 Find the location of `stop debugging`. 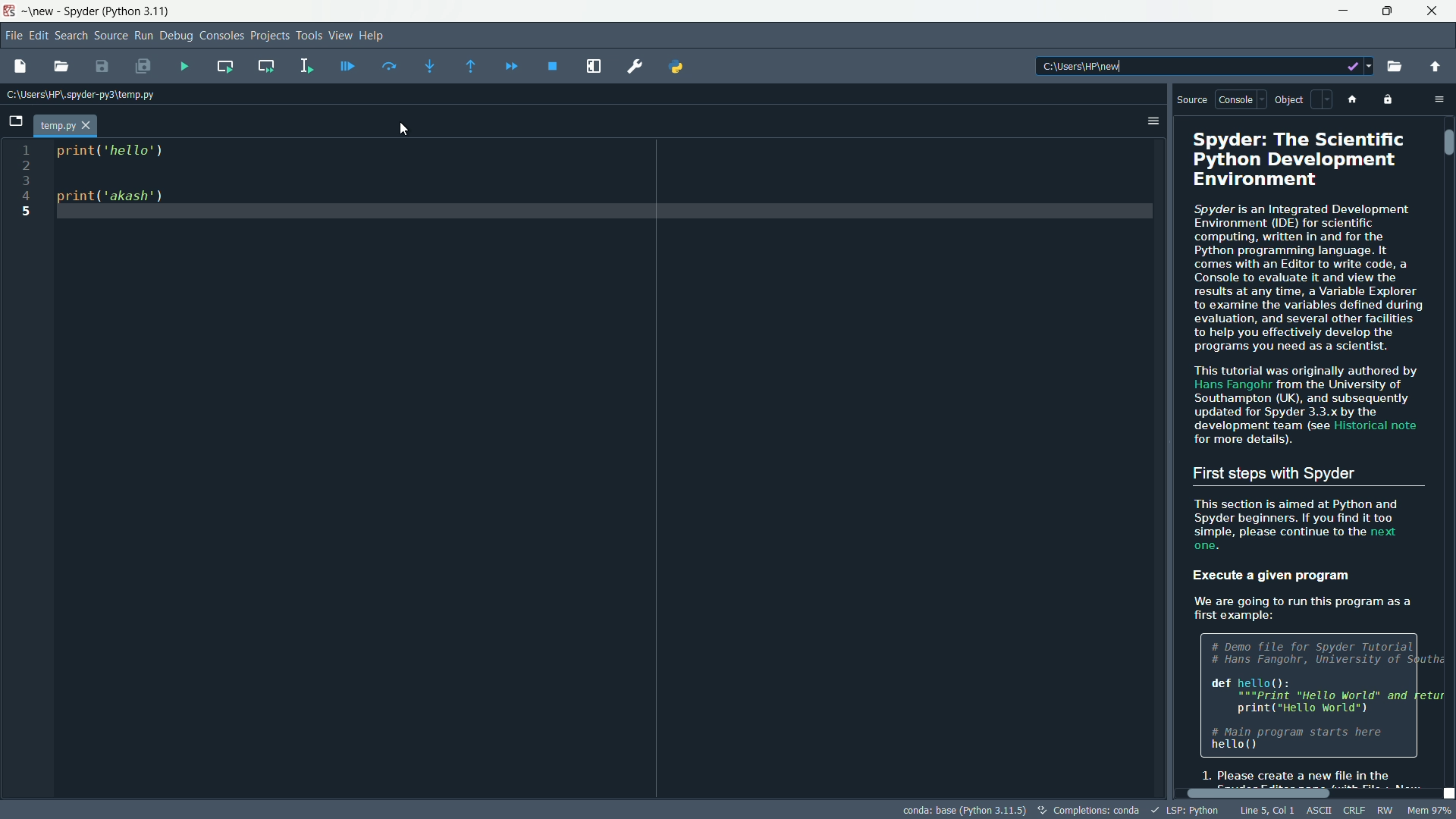

stop debugging is located at coordinates (553, 65).